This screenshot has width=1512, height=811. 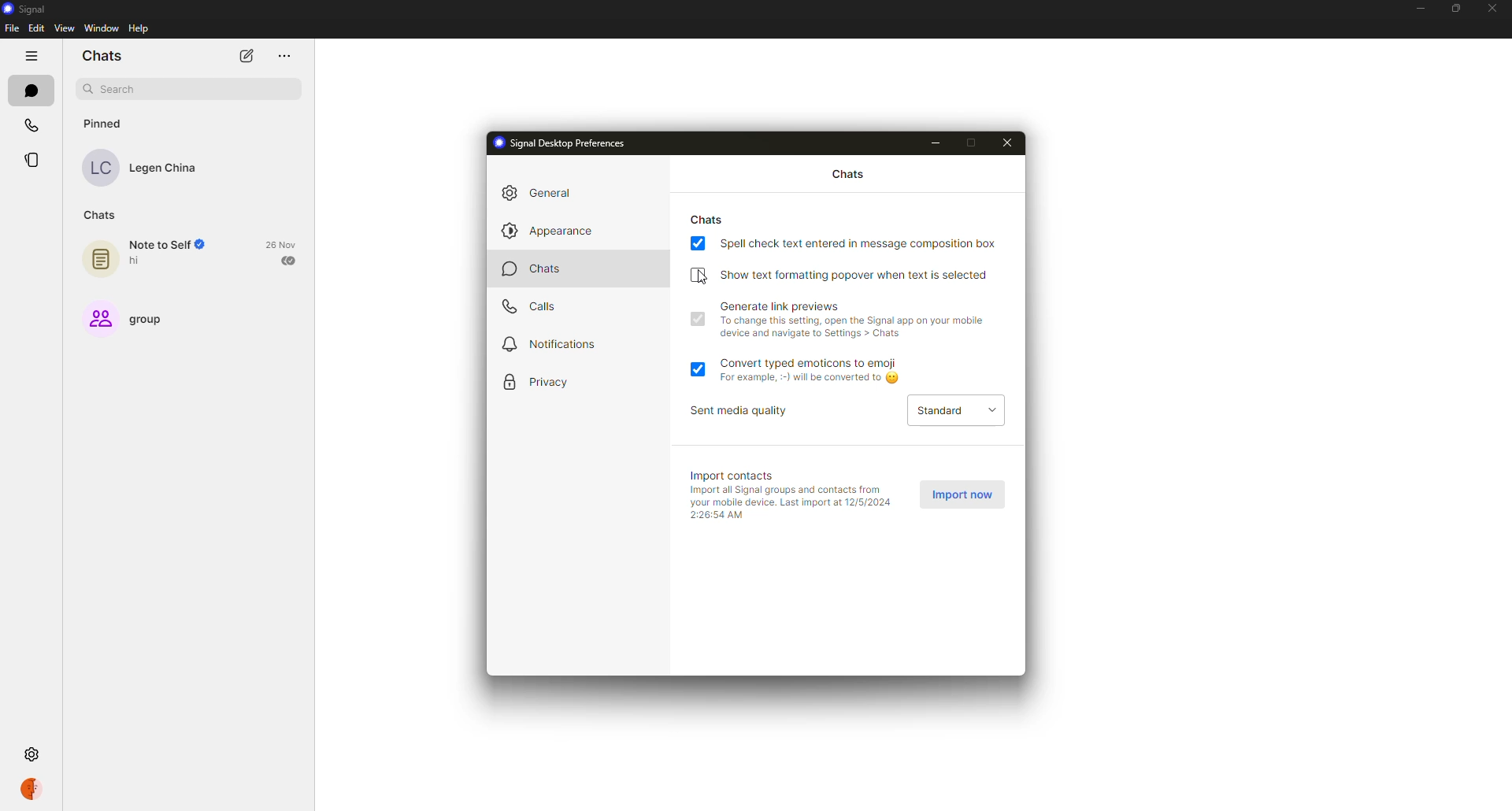 What do you see at coordinates (139, 29) in the screenshot?
I see `help` at bounding box center [139, 29].